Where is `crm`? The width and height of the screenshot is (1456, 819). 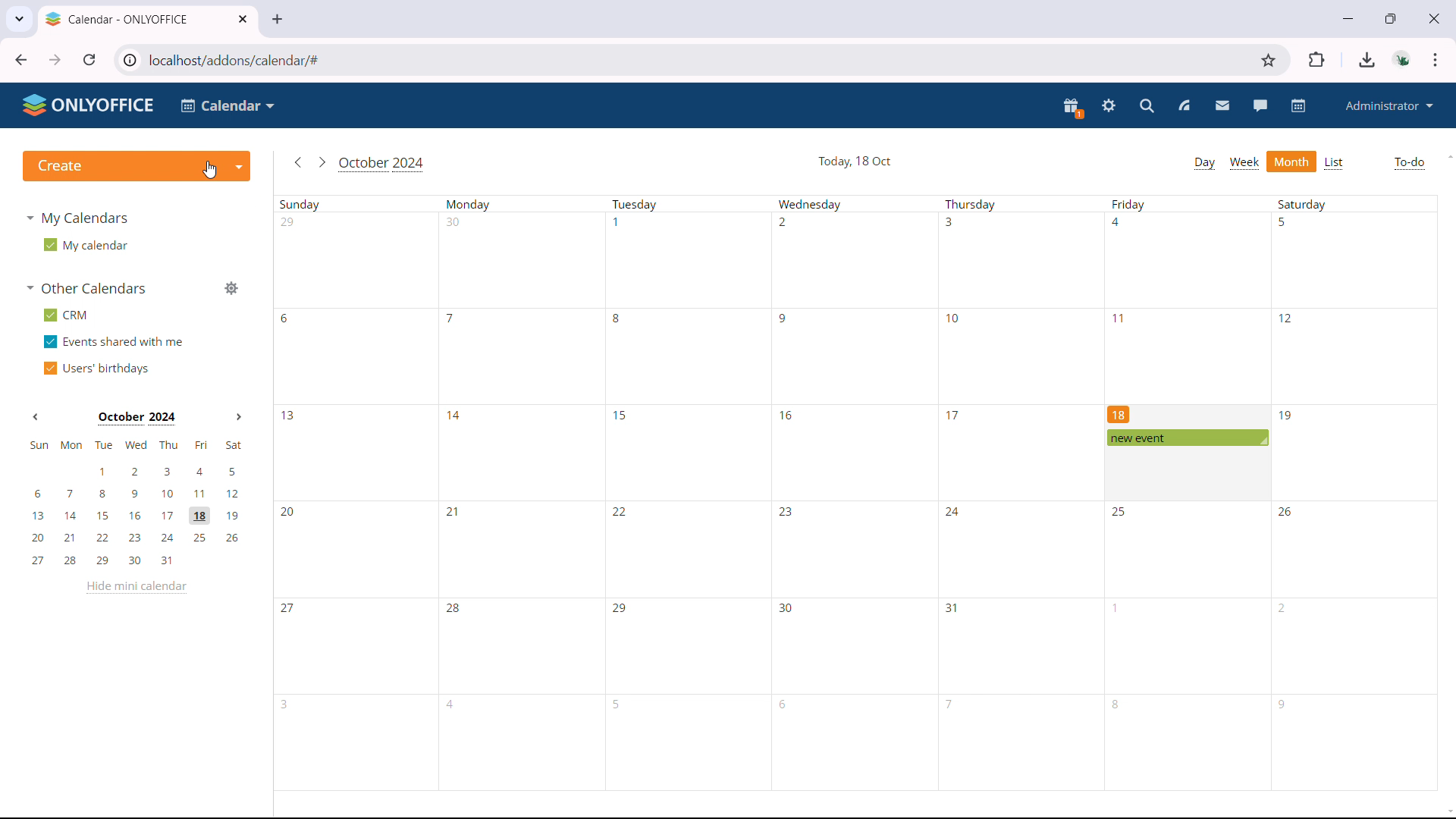
crm is located at coordinates (66, 315).